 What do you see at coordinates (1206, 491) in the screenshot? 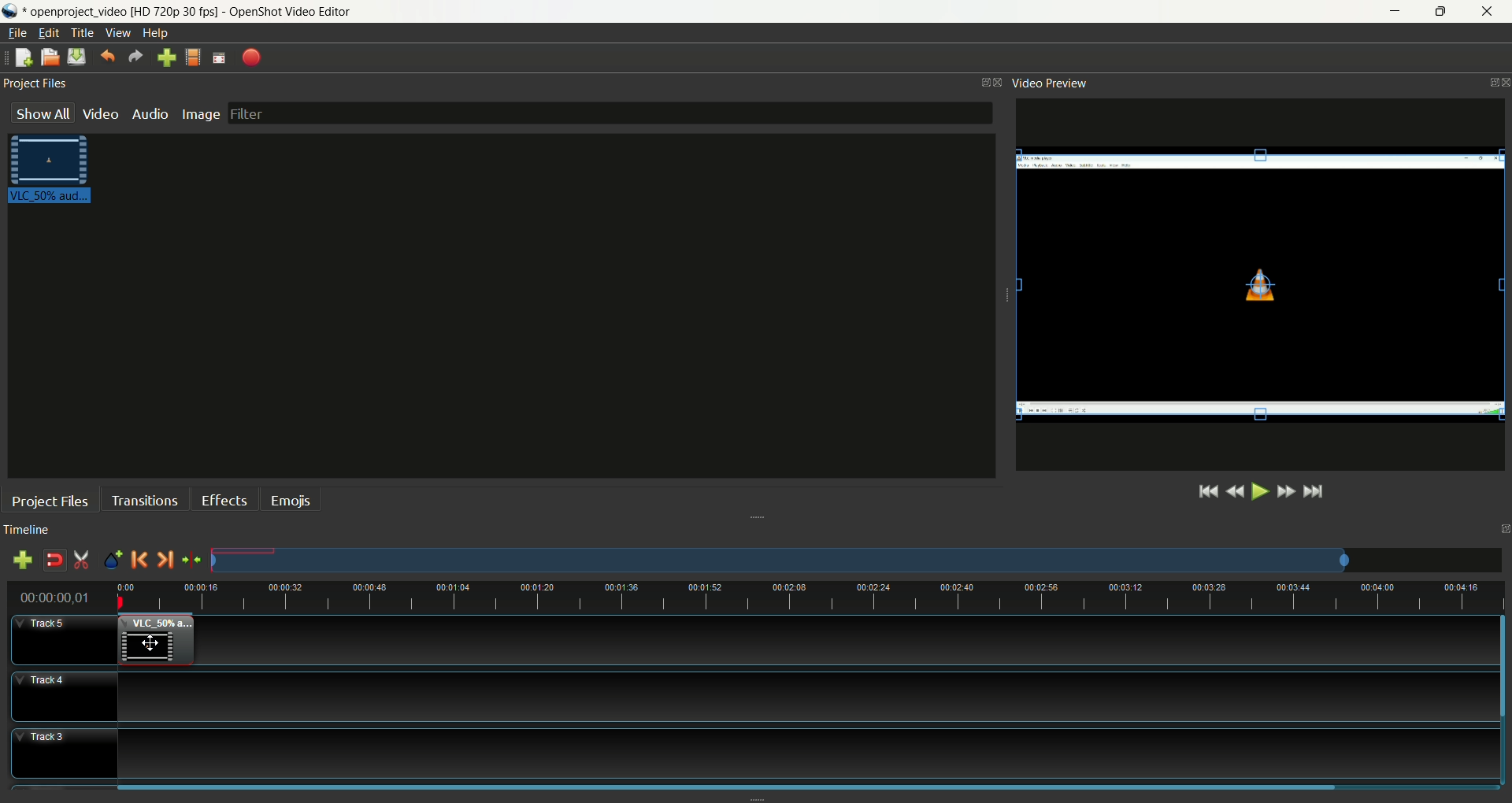
I see `jump to start` at bounding box center [1206, 491].